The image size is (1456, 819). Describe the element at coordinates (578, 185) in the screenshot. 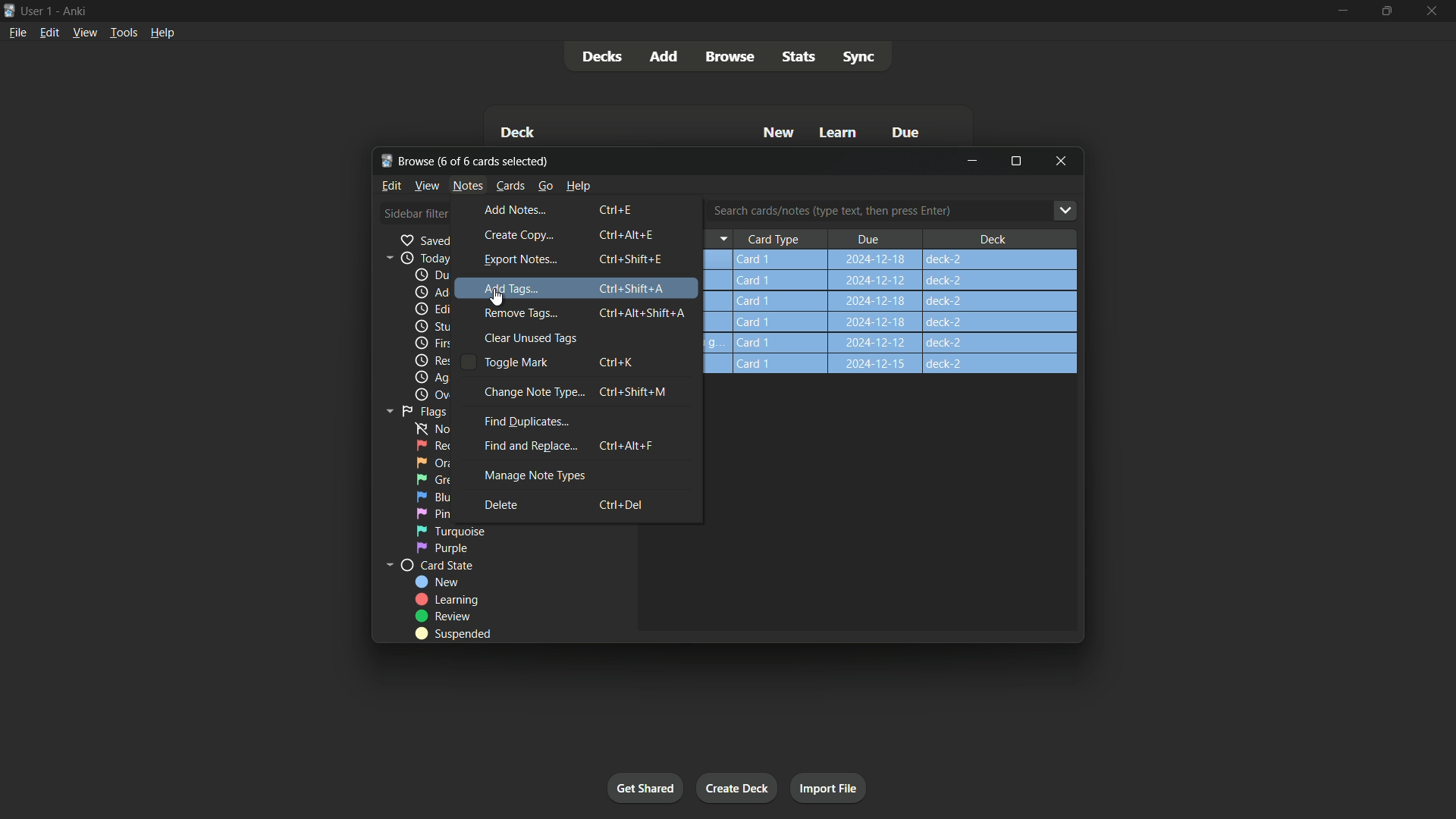

I see `help` at that location.